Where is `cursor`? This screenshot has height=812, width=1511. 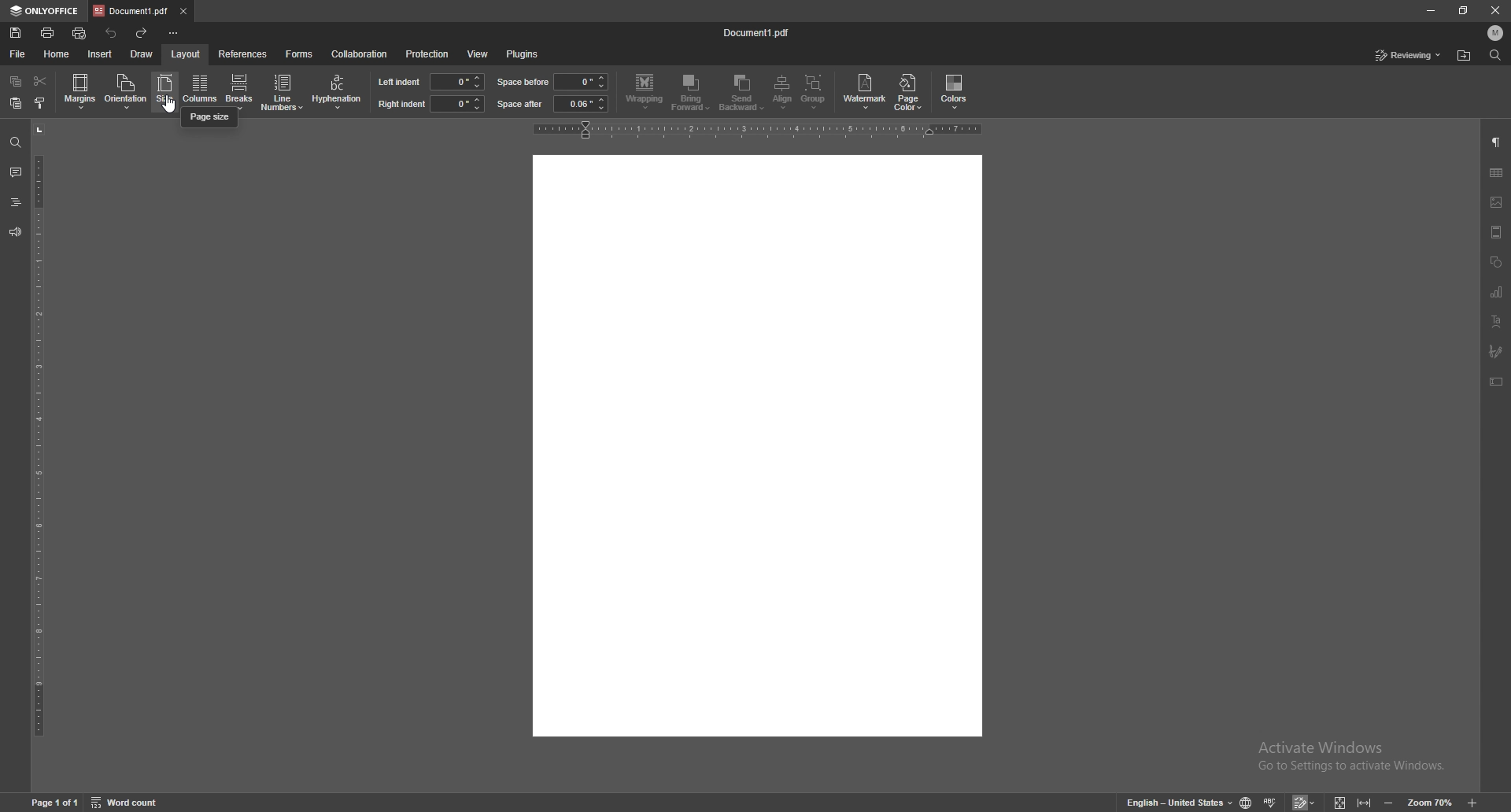
cursor is located at coordinates (176, 105).